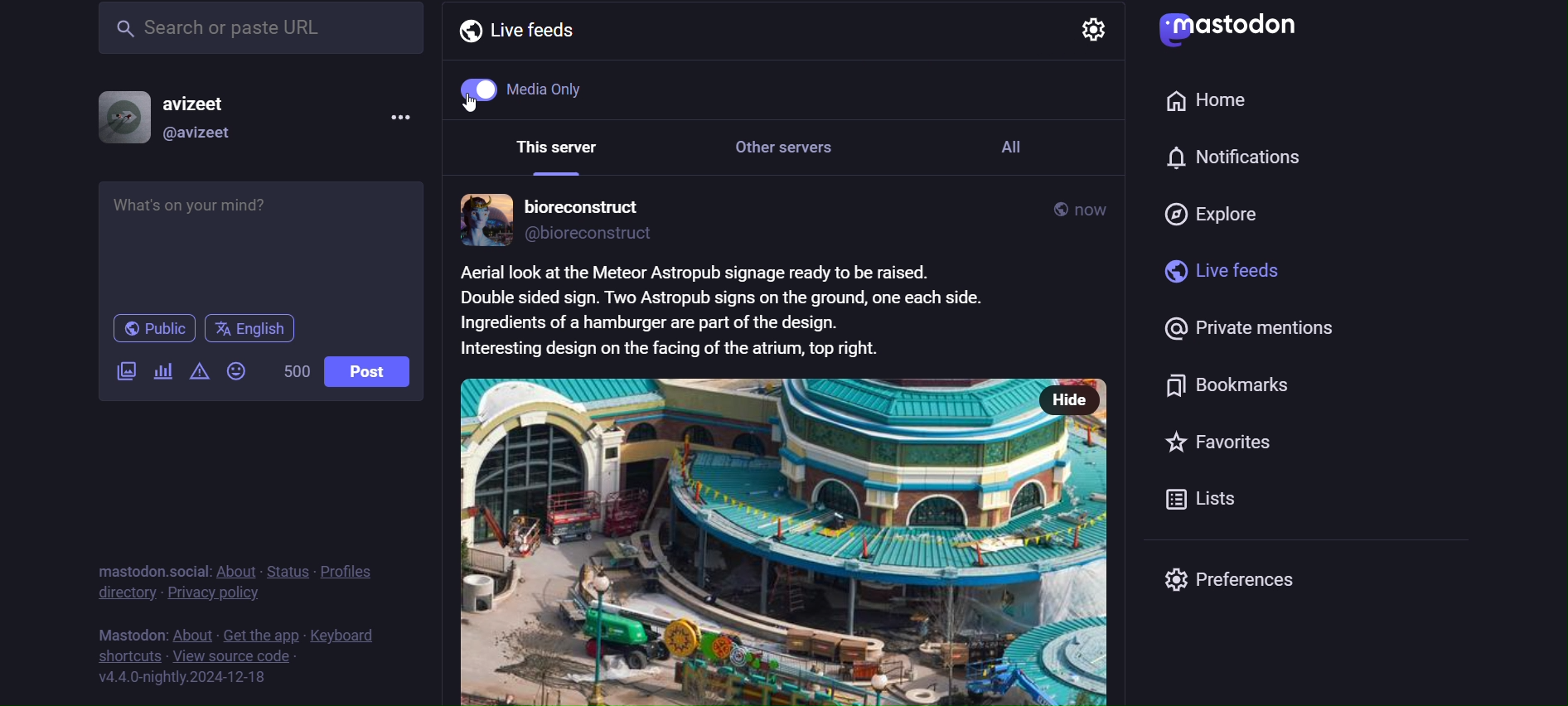 This screenshot has width=1568, height=706. What do you see at coordinates (593, 233) in the screenshot?
I see `@bioreconstruct` at bounding box center [593, 233].